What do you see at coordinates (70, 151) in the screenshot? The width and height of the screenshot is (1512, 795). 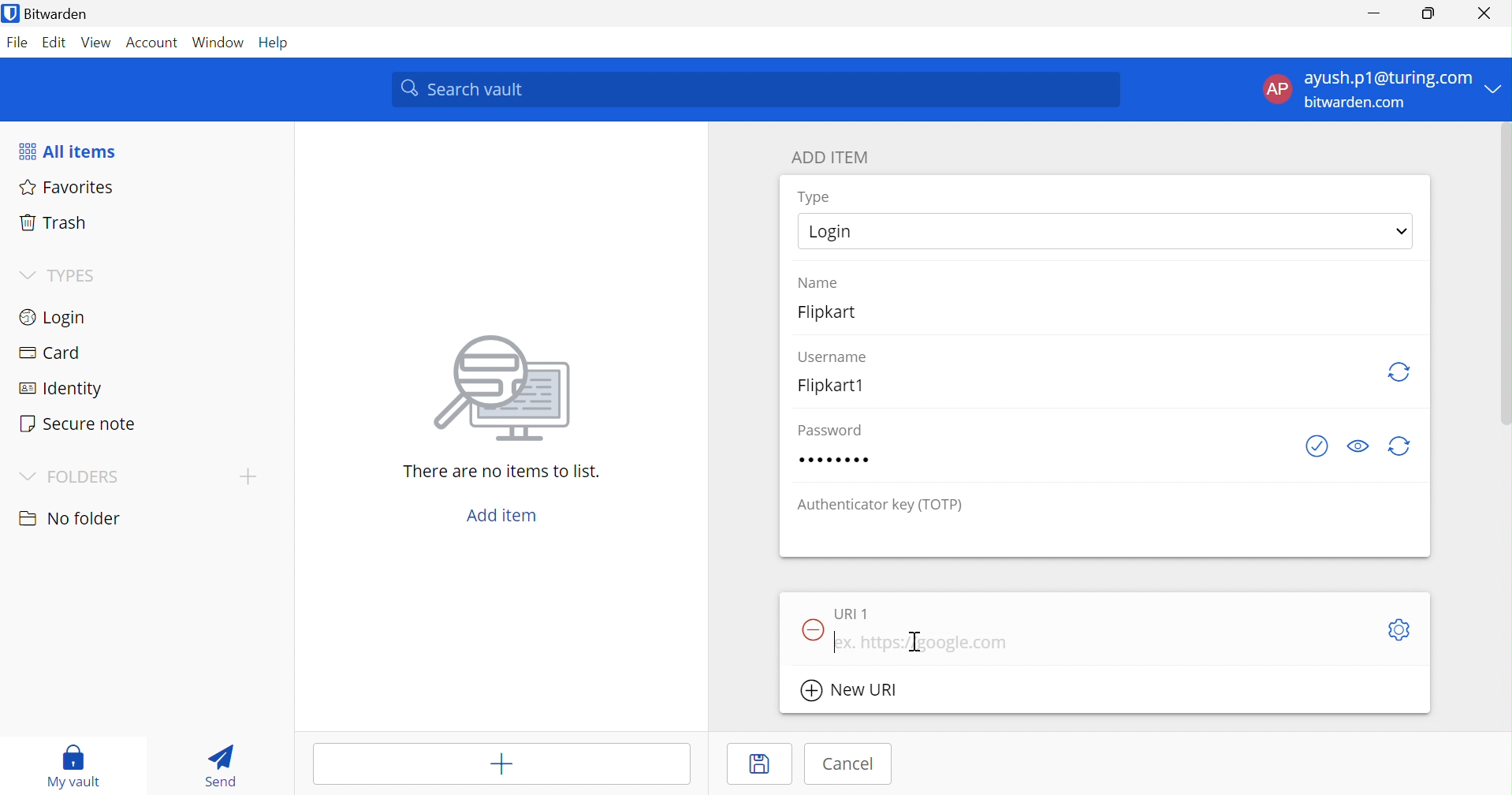 I see `All items` at bounding box center [70, 151].